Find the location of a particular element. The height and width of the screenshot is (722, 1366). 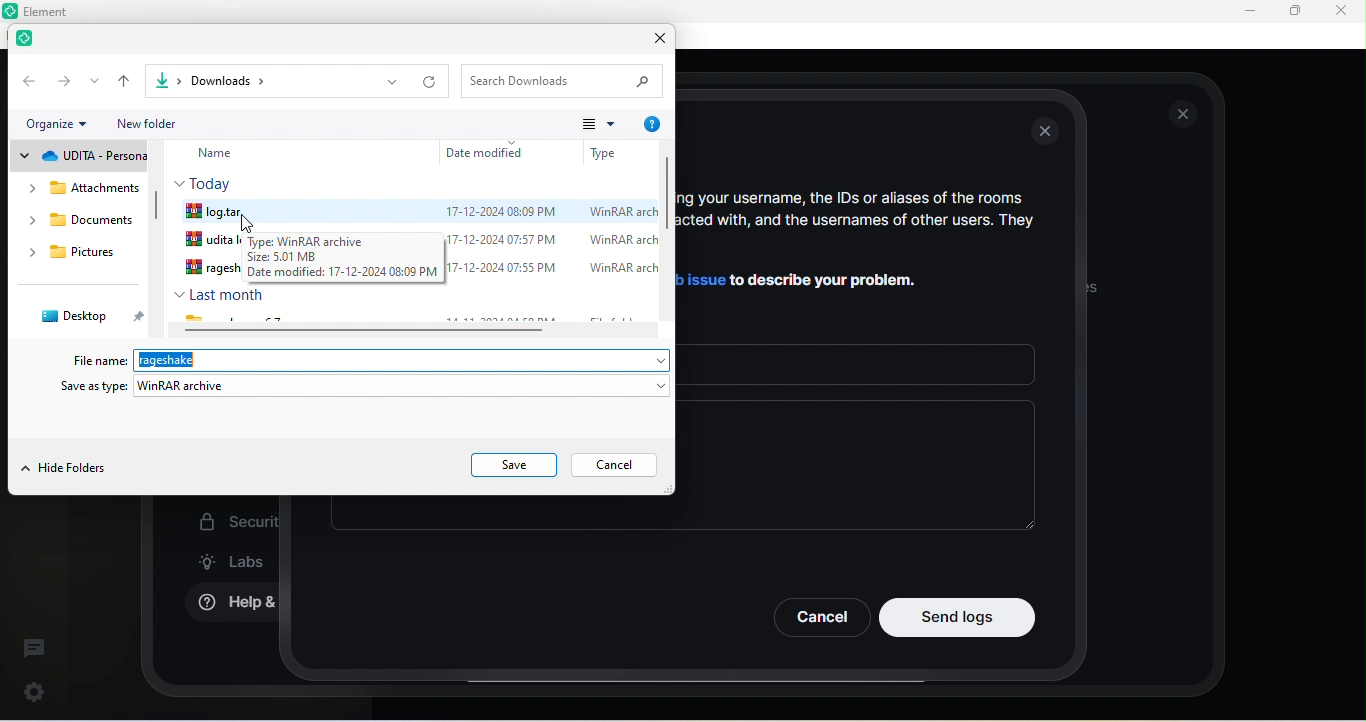

Last Month is located at coordinates (219, 294).